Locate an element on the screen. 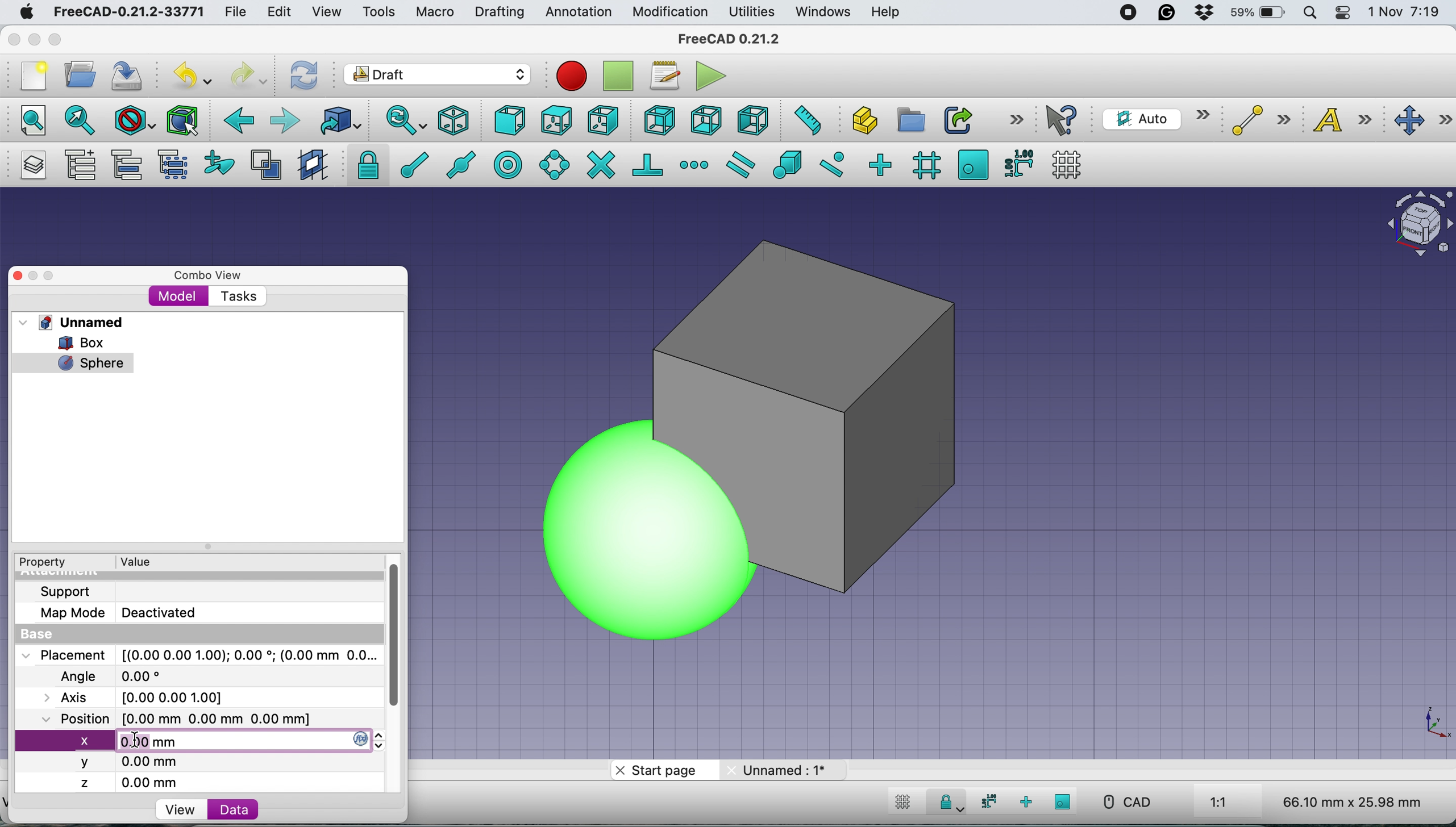 This screenshot has width=1456, height=827. add a new named group is located at coordinates (80, 167).